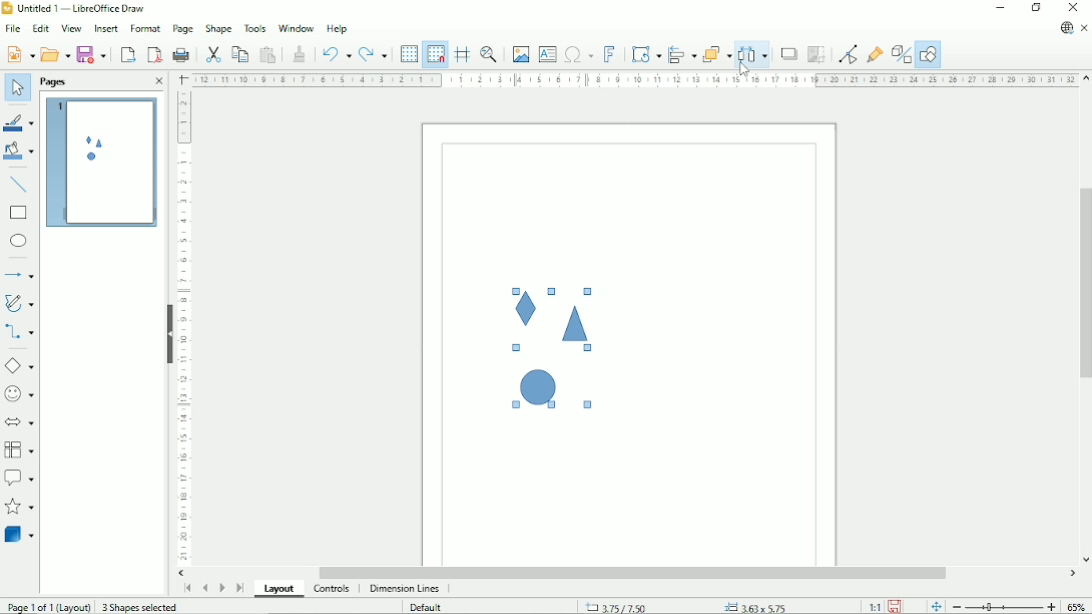 The width and height of the screenshot is (1092, 614). I want to click on File, so click(12, 28).